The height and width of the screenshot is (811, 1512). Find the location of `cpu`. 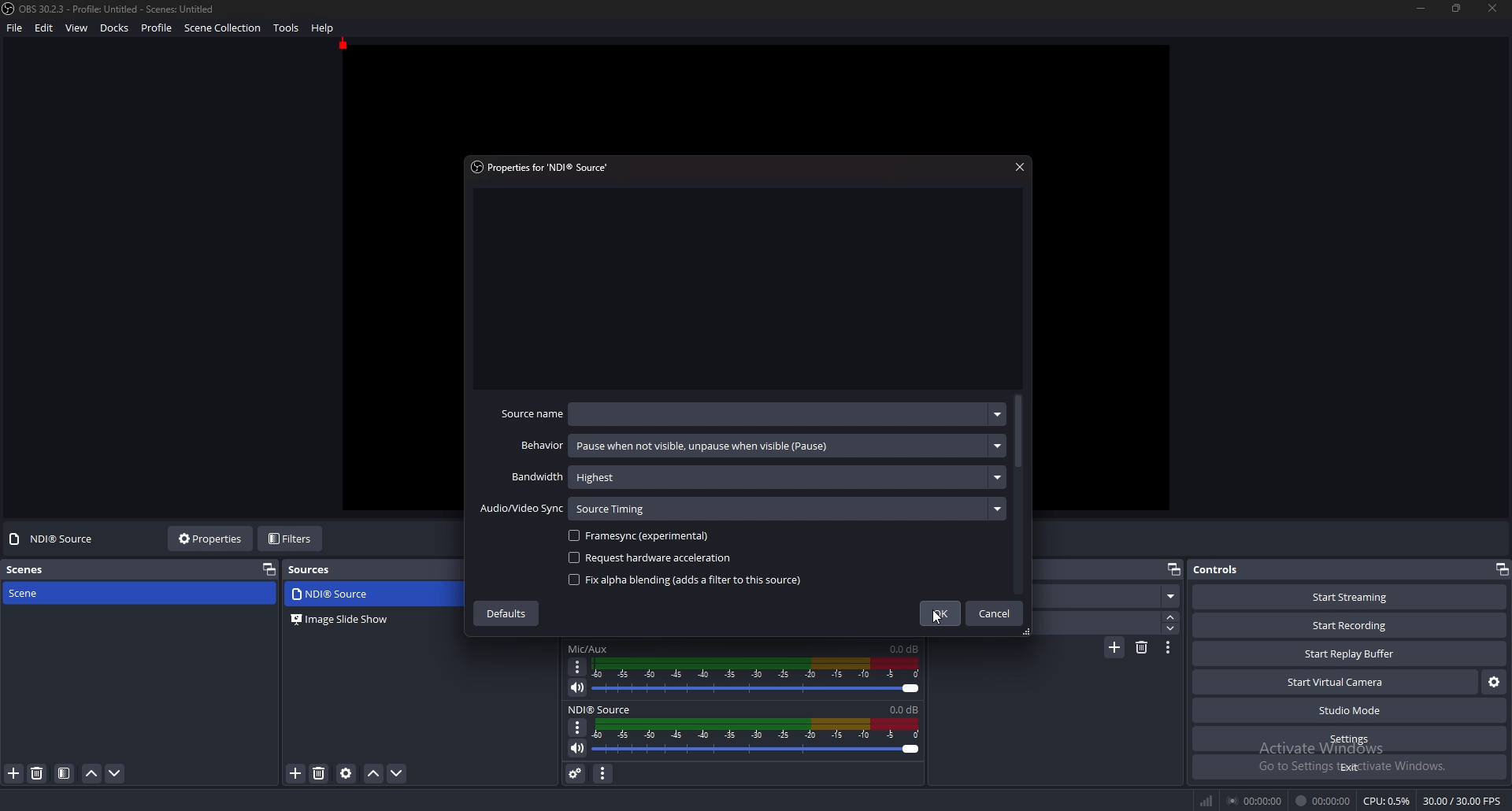

cpu is located at coordinates (1388, 801).